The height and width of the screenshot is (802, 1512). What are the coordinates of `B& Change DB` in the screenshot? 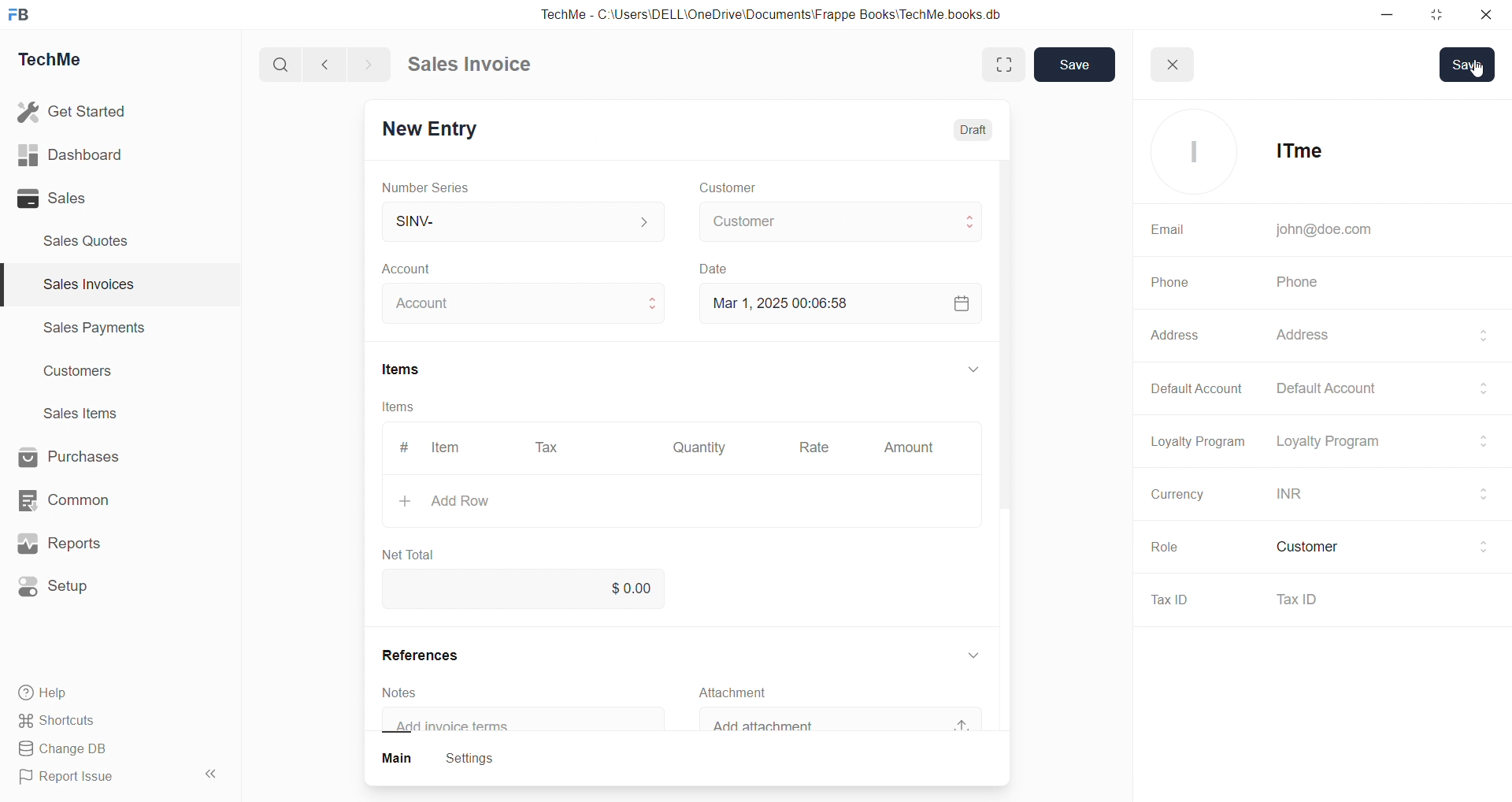 It's located at (69, 750).